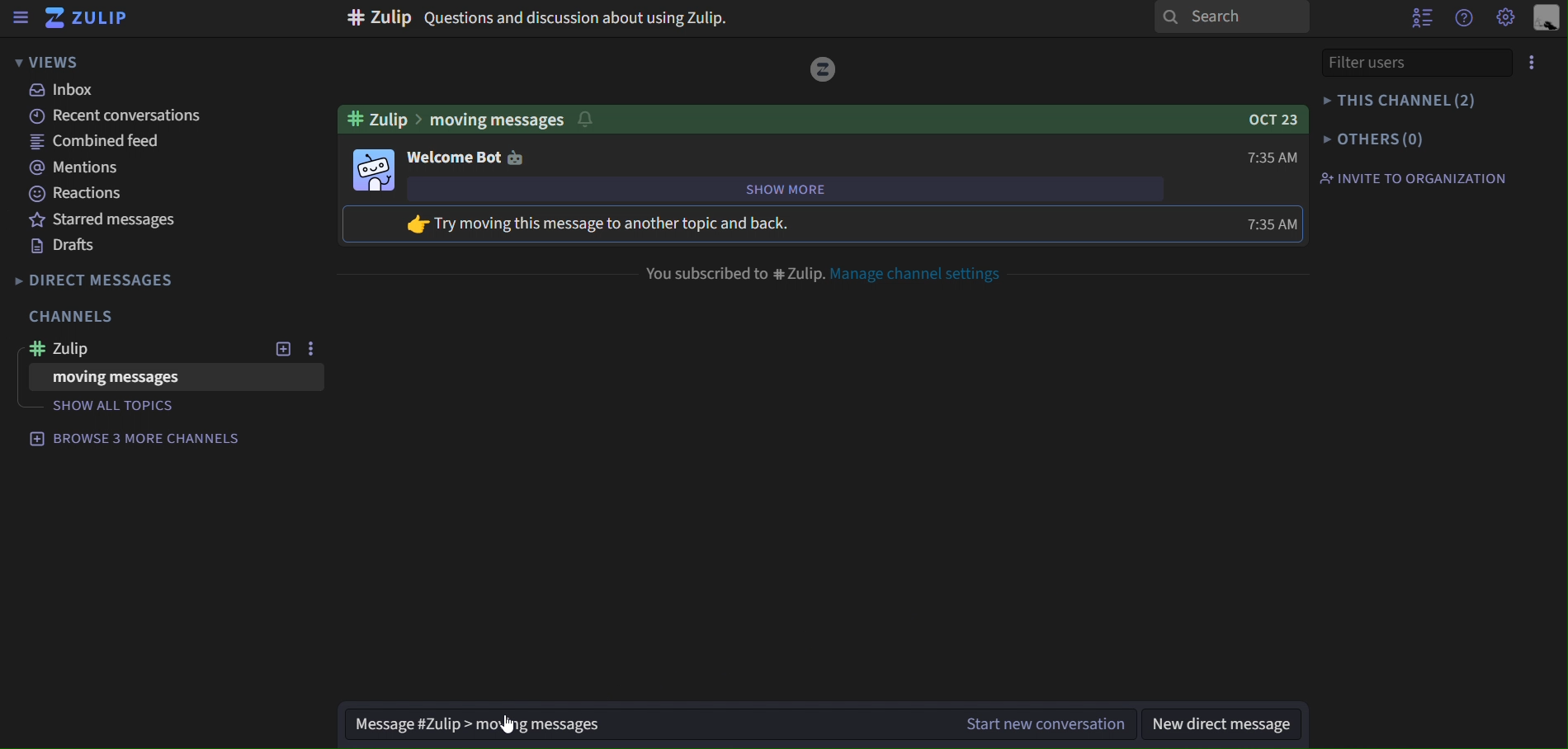 The height and width of the screenshot is (749, 1568). I want to click on others(0), so click(1375, 138).